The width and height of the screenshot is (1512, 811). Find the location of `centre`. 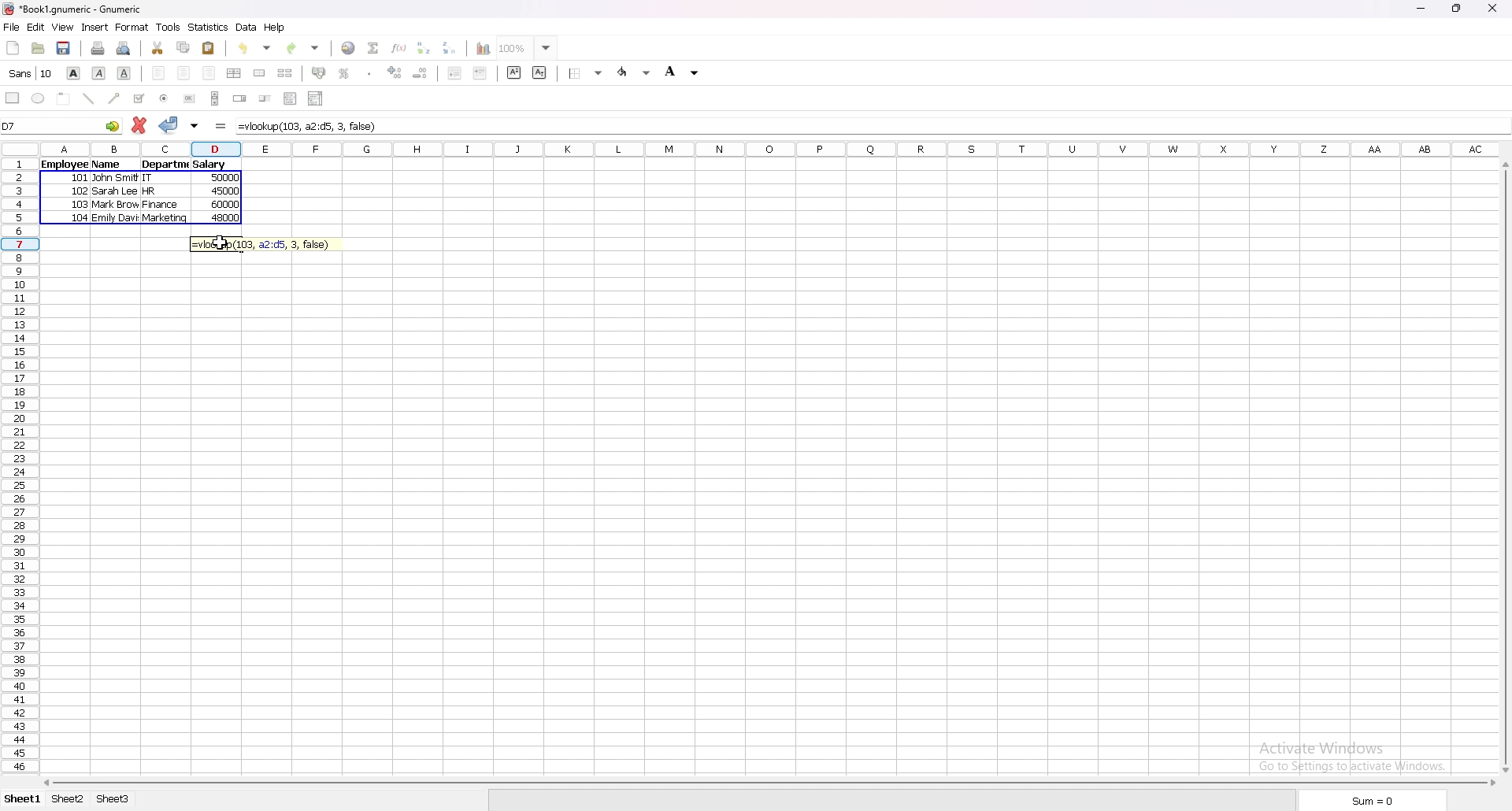

centre is located at coordinates (184, 73).